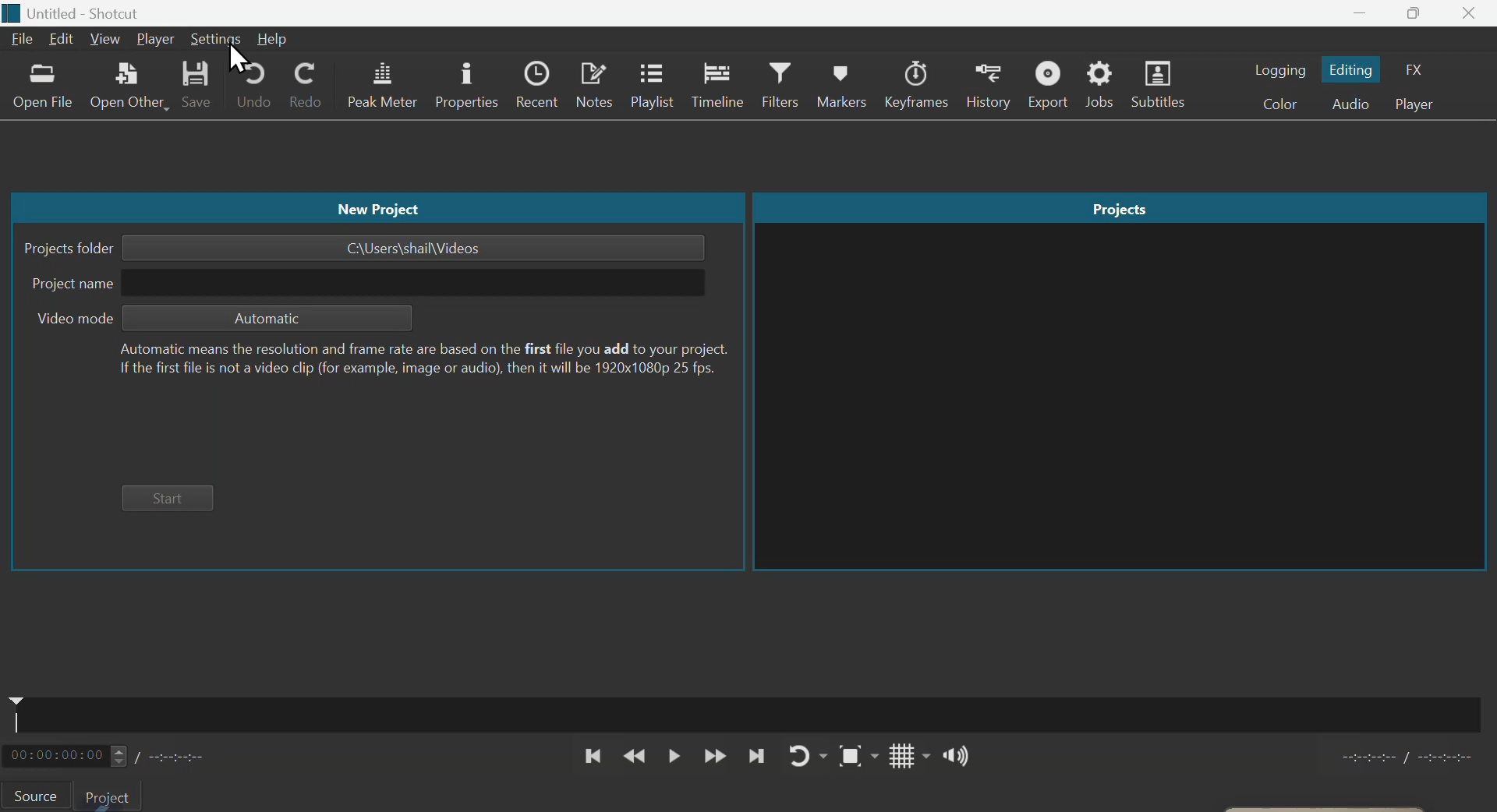 The image size is (1497, 812). Describe the element at coordinates (1361, 13) in the screenshot. I see `minimize` at that location.